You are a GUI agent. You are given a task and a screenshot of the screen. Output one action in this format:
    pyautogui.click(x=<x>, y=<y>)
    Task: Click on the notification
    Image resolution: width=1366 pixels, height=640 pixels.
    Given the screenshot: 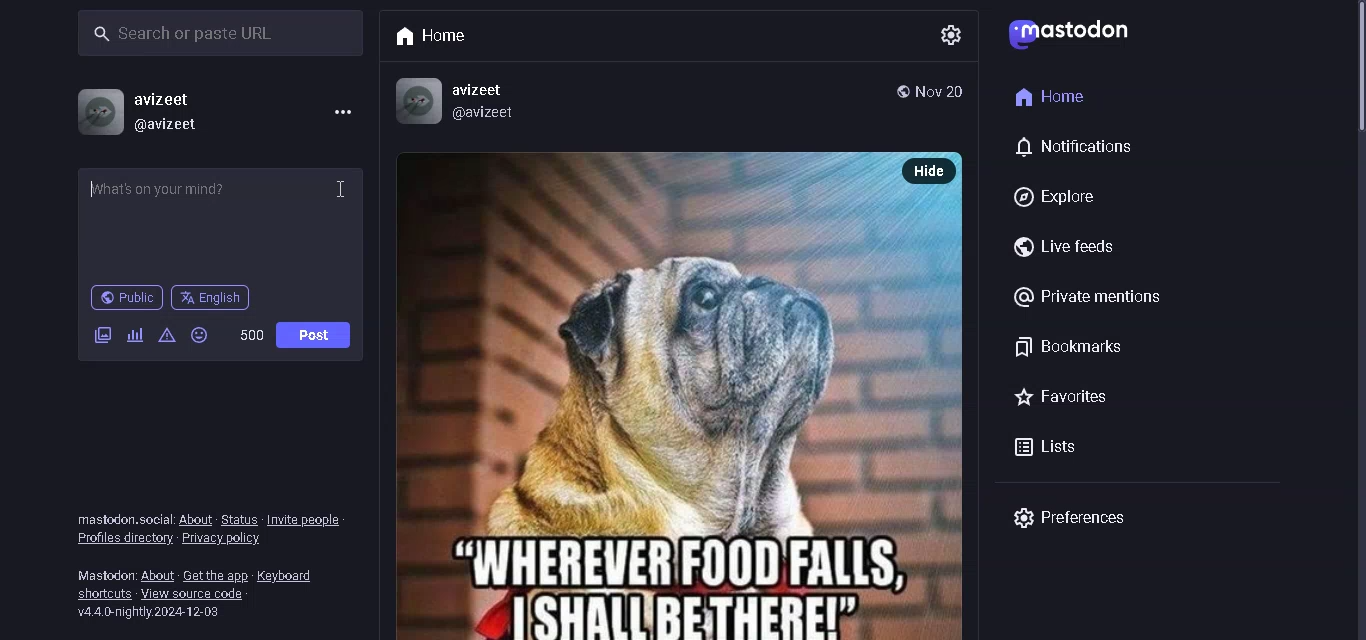 What is the action you would take?
    pyautogui.click(x=1078, y=148)
    